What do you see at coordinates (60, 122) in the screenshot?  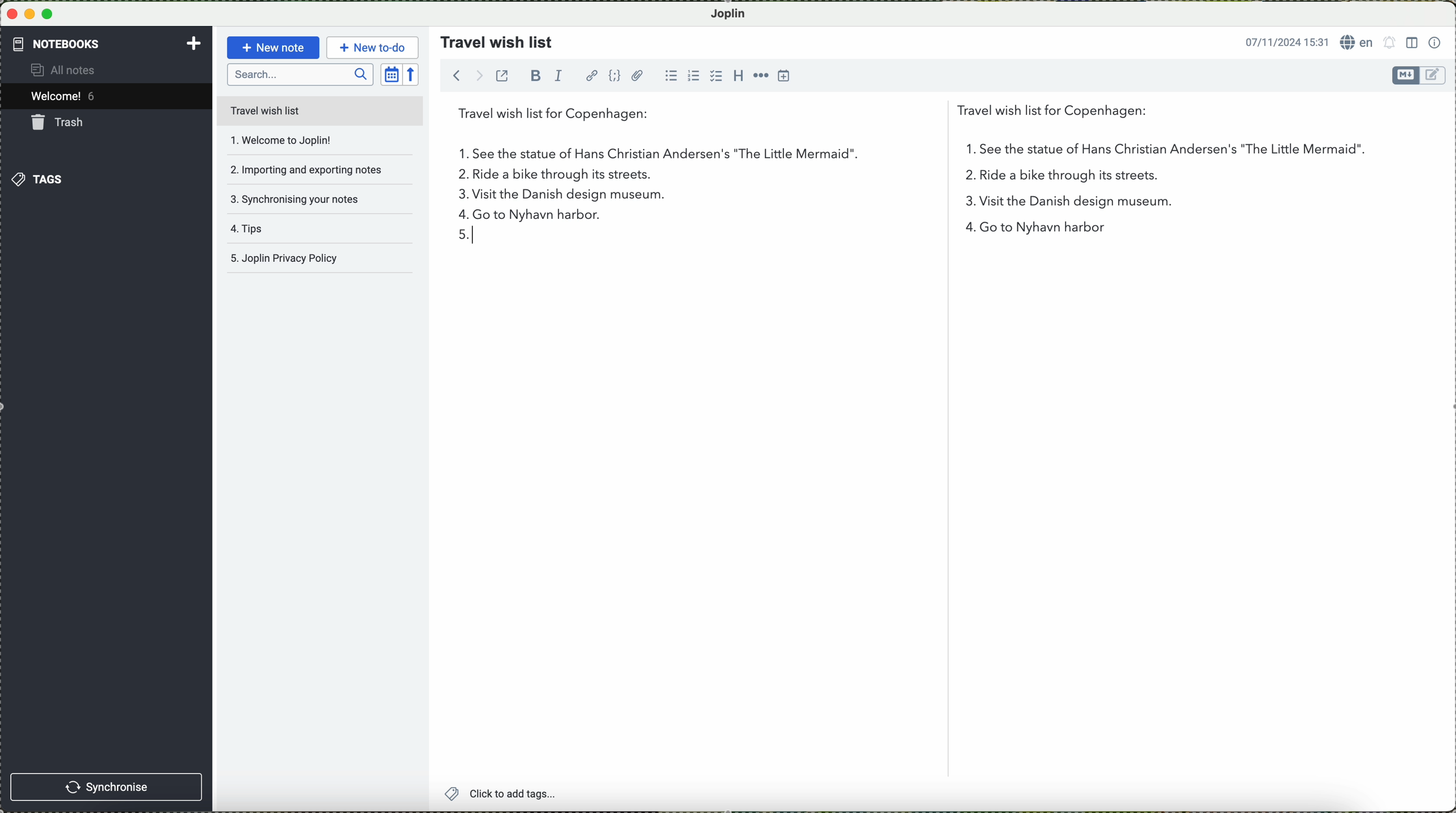 I see `trash` at bounding box center [60, 122].